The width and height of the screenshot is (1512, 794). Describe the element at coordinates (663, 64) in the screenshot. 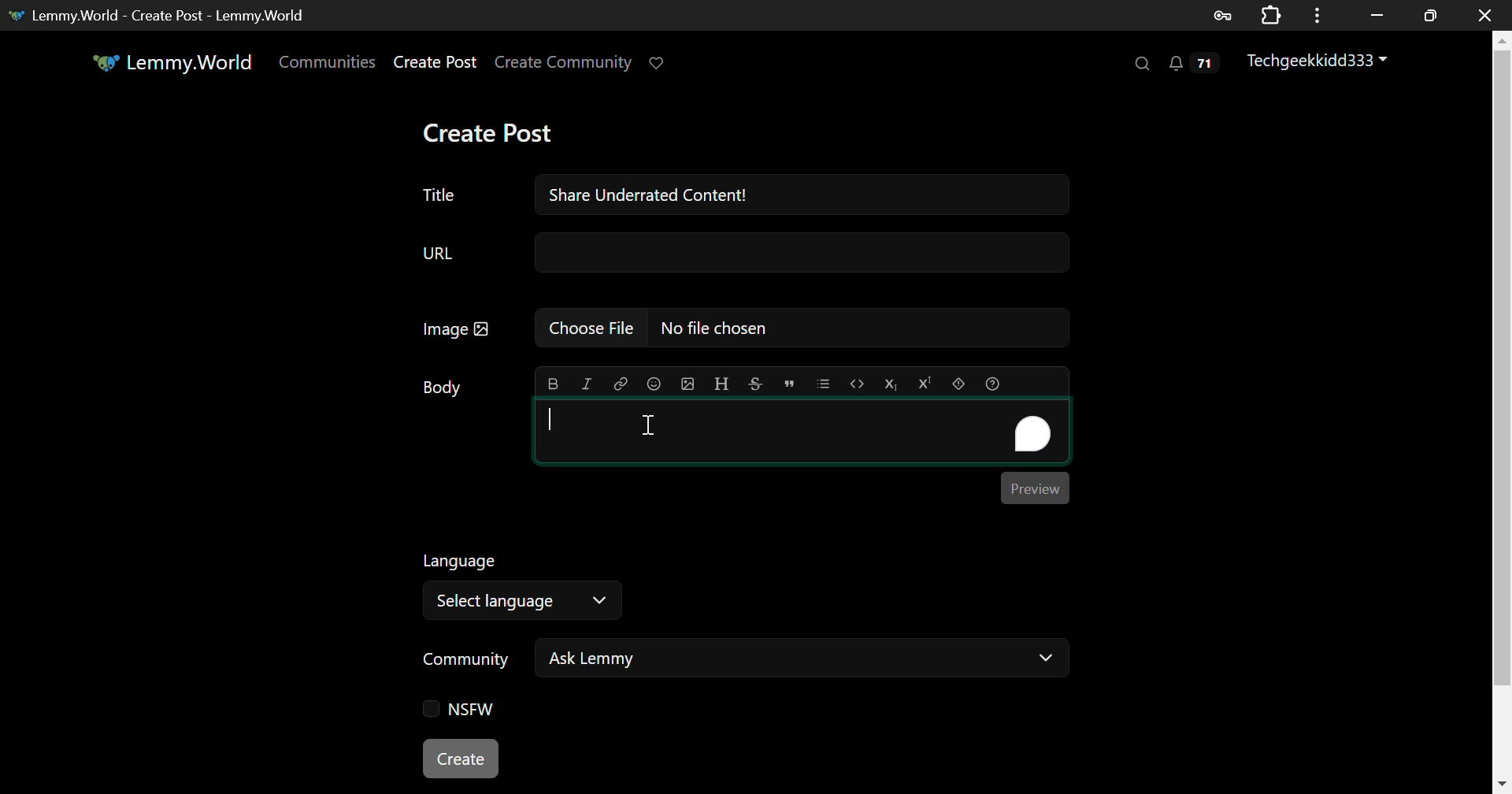

I see `Donate` at that location.